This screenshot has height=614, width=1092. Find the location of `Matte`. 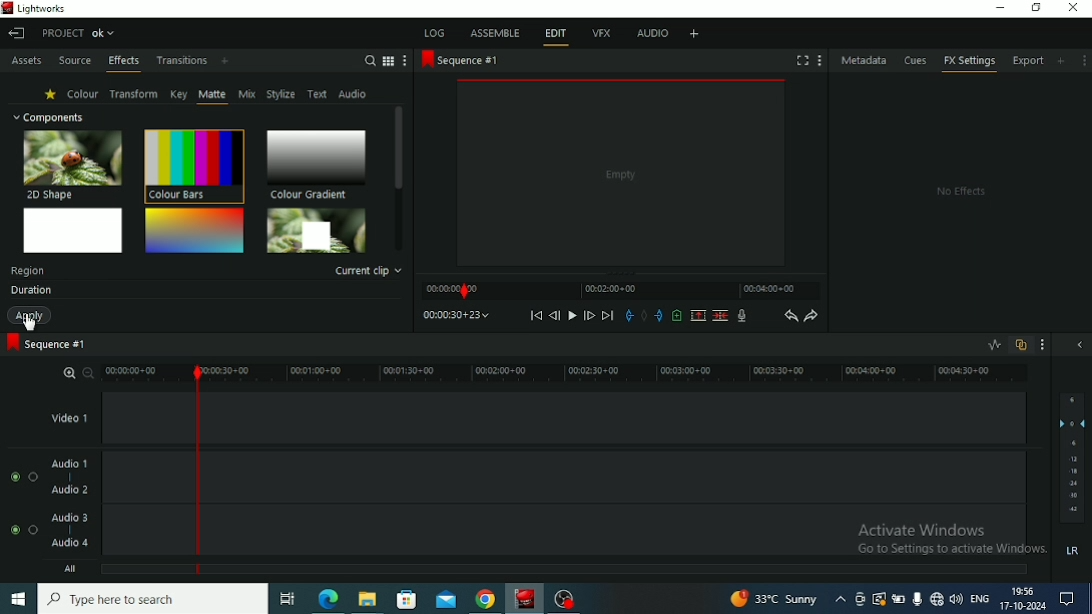

Matte is located at coordinates (212, 95).